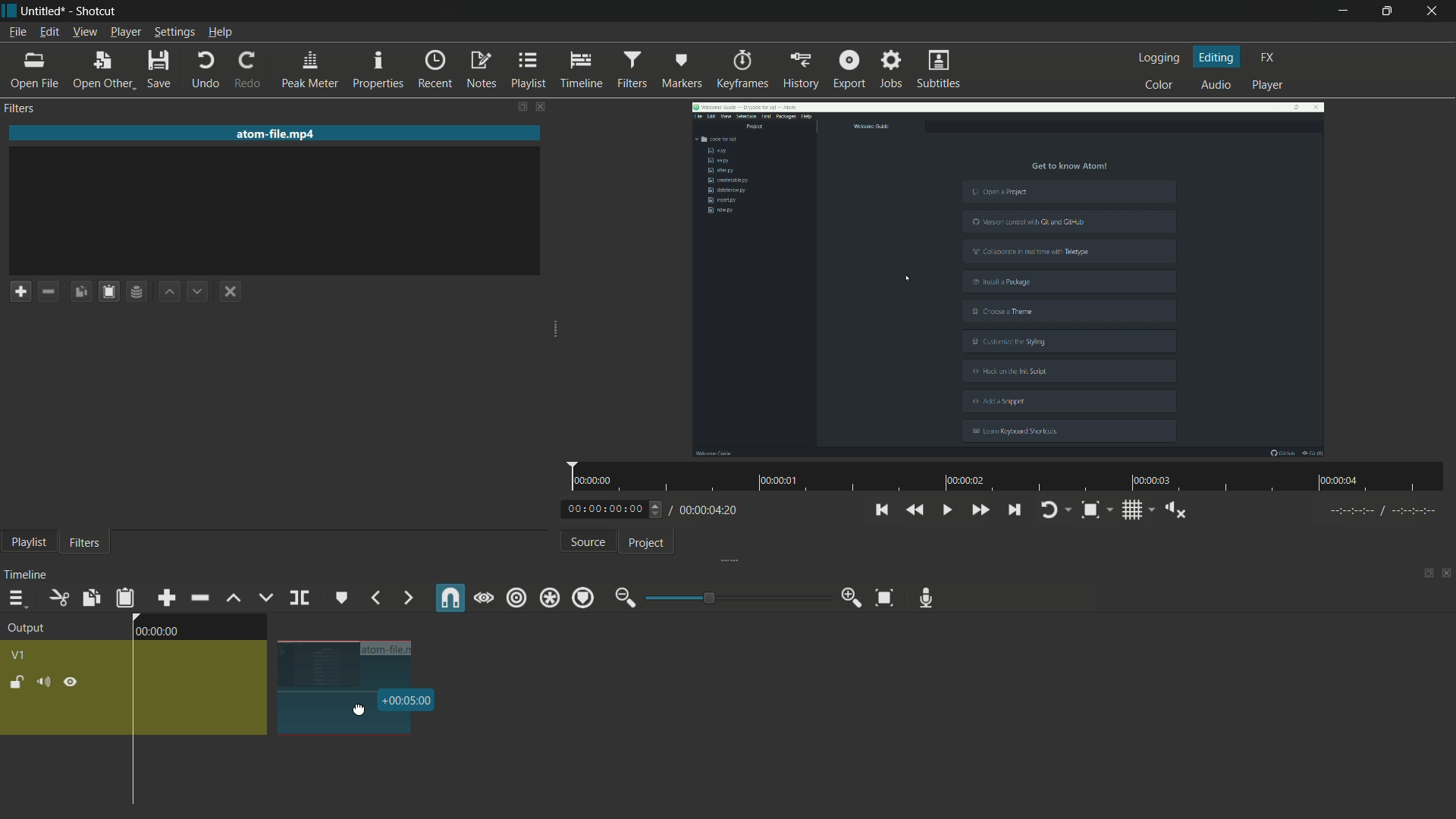 This screenshot has height=819, width=1456. Describe the element at coordinates (157, 632) in the screenshot. I see `current time` at that location.